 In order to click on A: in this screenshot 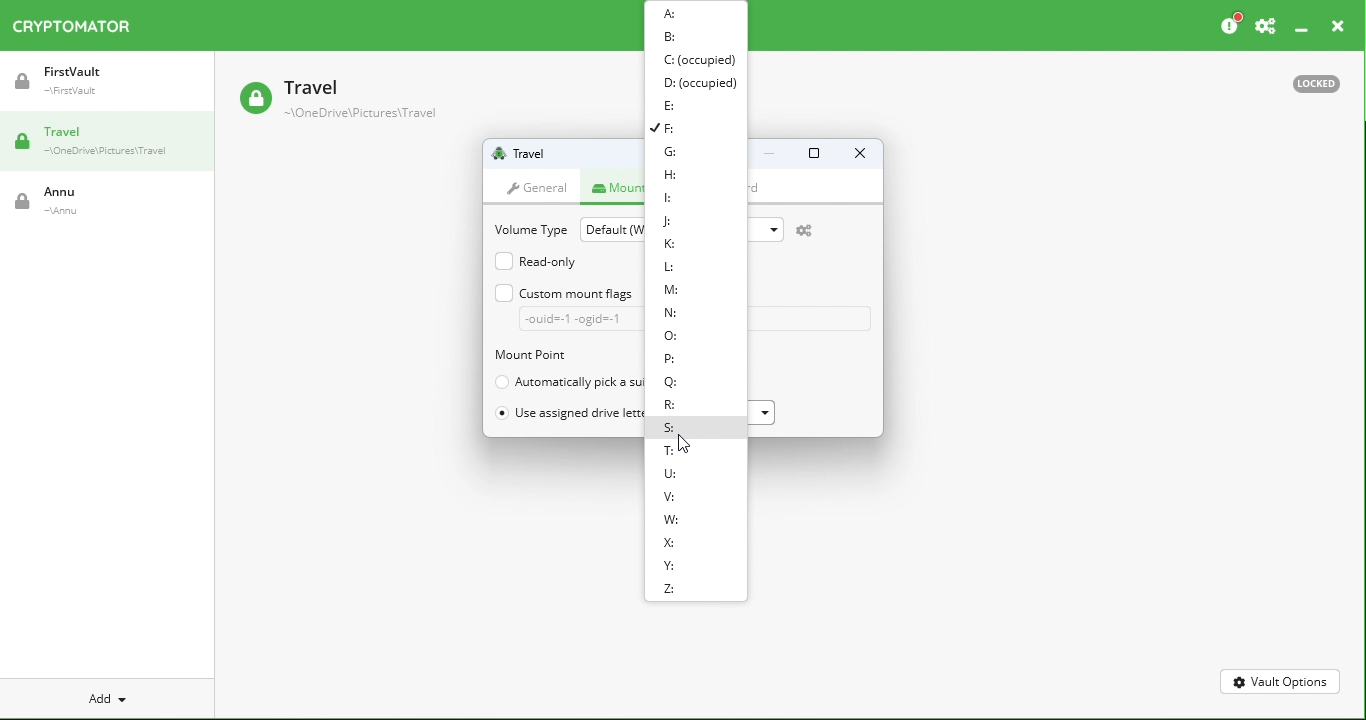, I will do `click(671, 14)`.